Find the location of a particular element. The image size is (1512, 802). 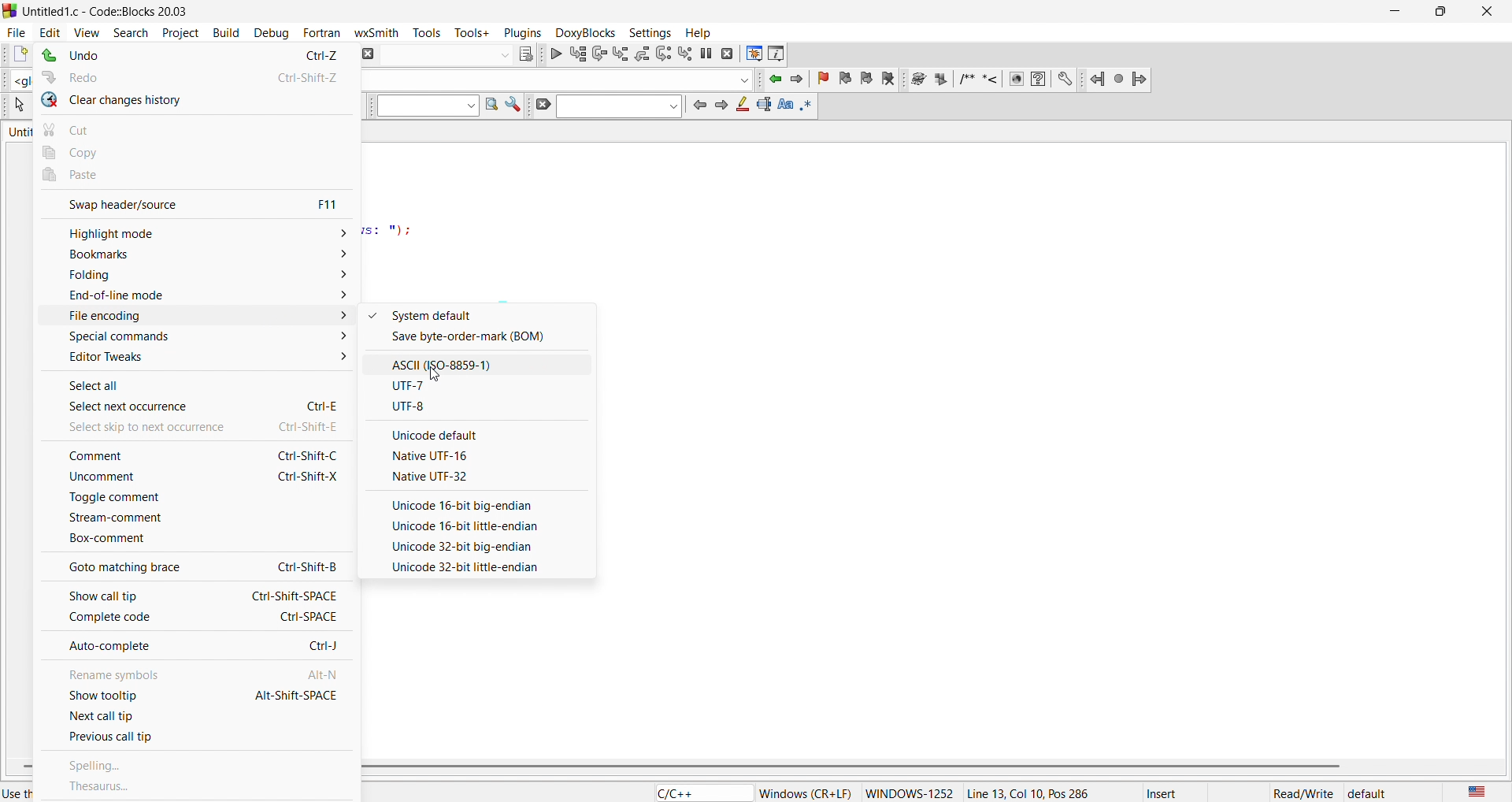

tools is located at coordinates (424, 34).